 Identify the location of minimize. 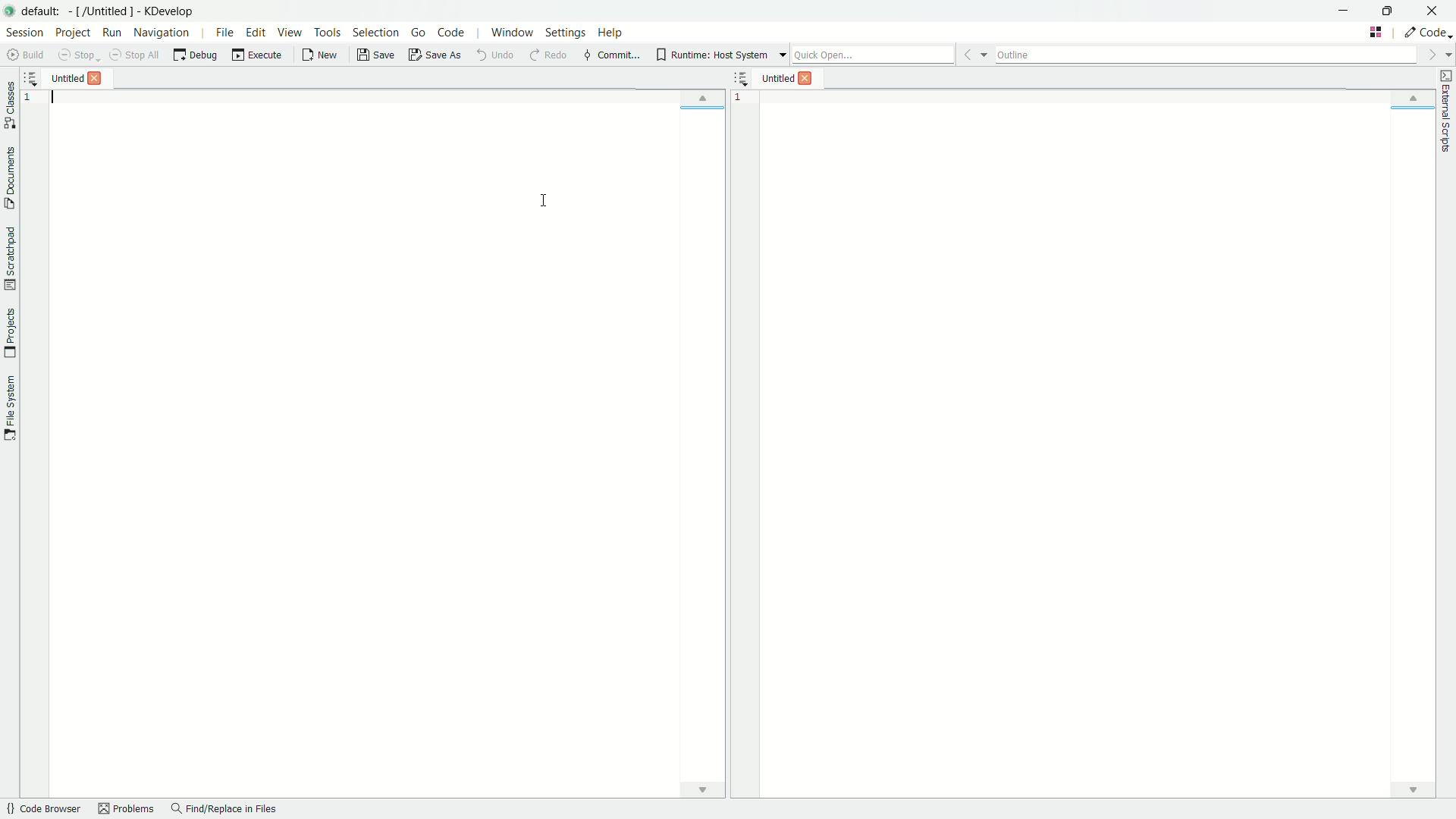
(1344, 11).